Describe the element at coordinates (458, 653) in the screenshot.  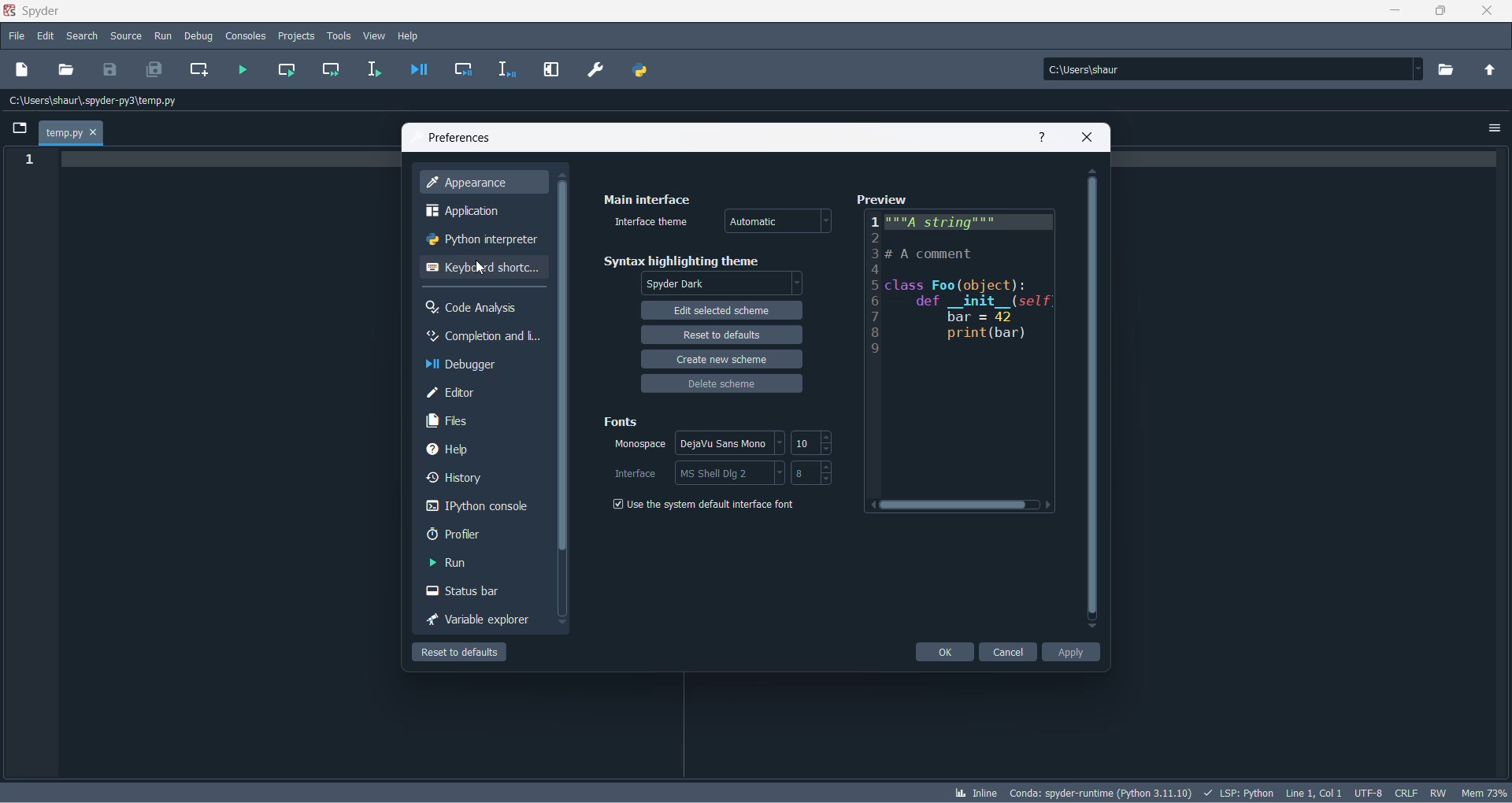
I see `reset to defaul` at that location.